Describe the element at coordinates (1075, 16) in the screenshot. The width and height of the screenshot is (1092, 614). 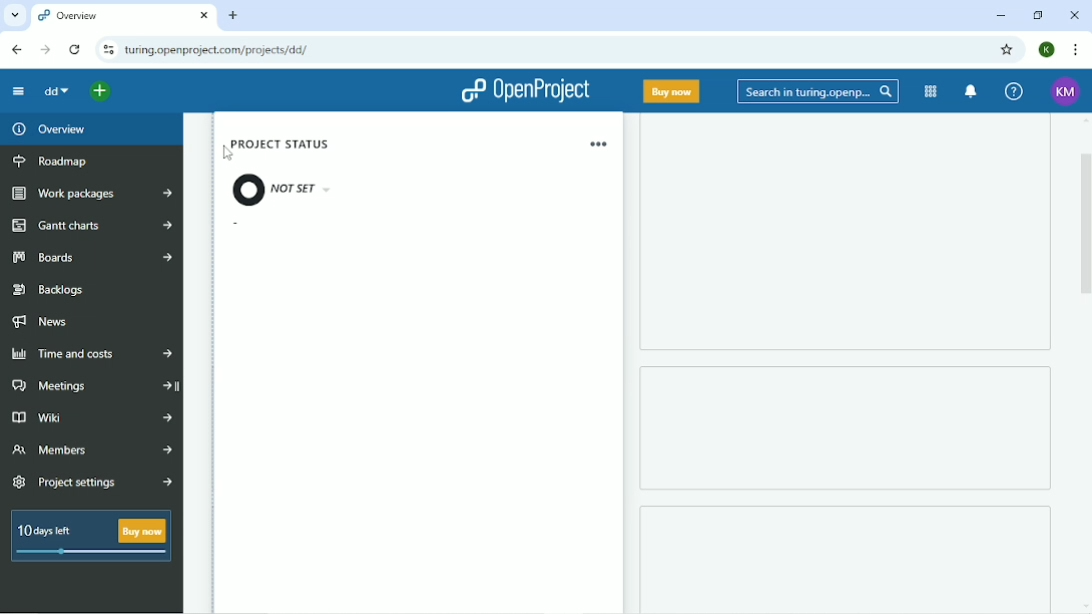
I see `Close` at that location.